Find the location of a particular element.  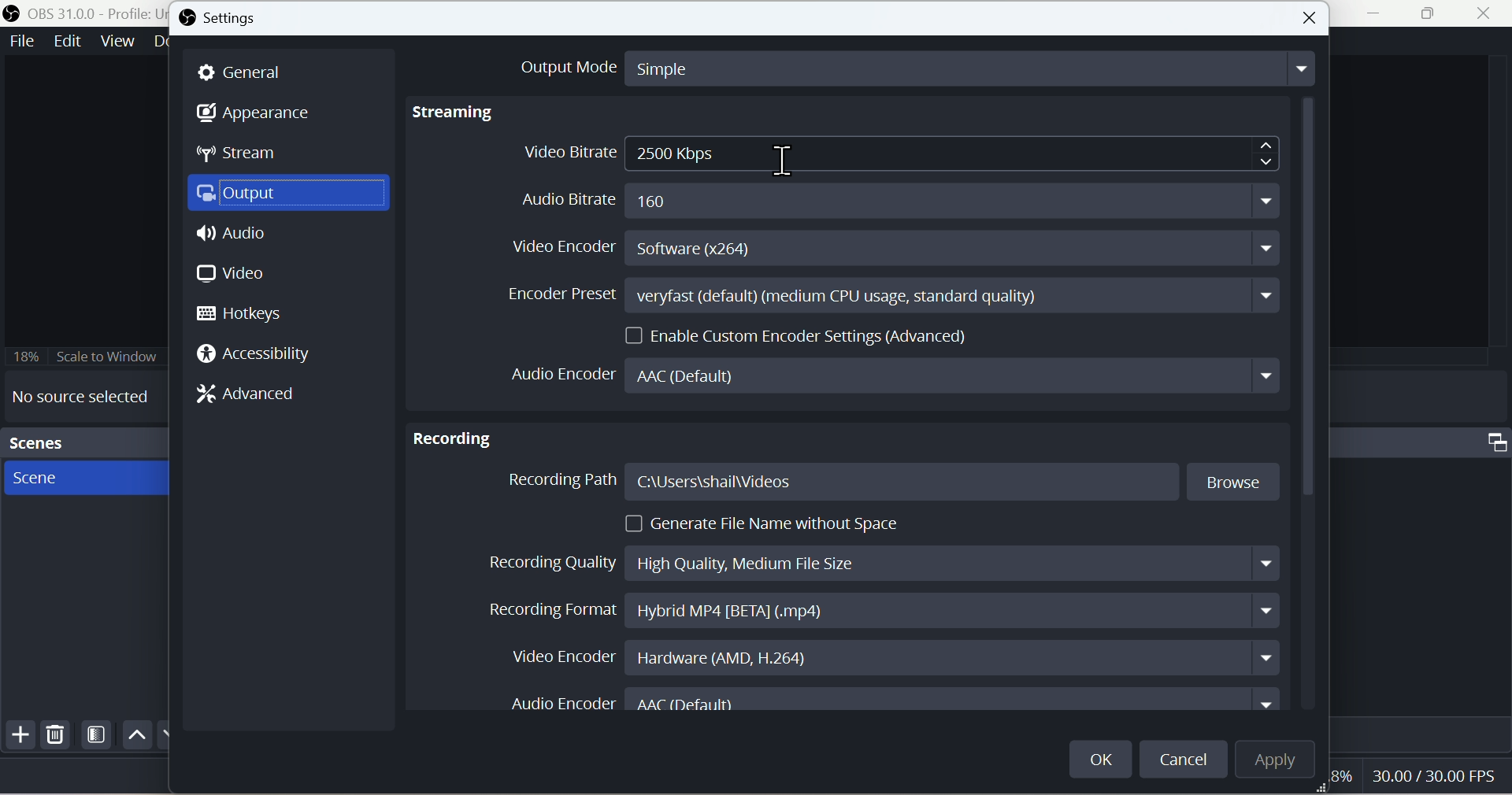

minimise is located at coordinates (1375, 17).